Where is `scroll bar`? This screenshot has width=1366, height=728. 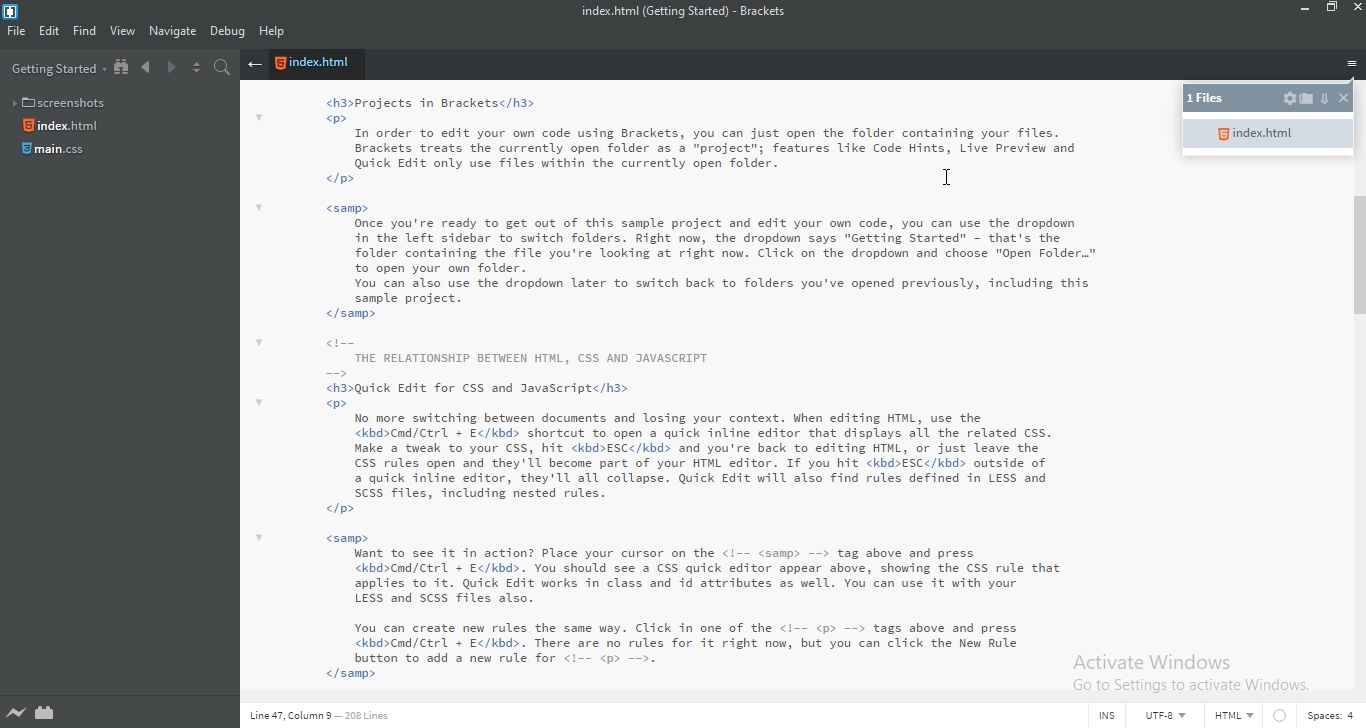 scroll bar is located at coordinates (1357, 255).